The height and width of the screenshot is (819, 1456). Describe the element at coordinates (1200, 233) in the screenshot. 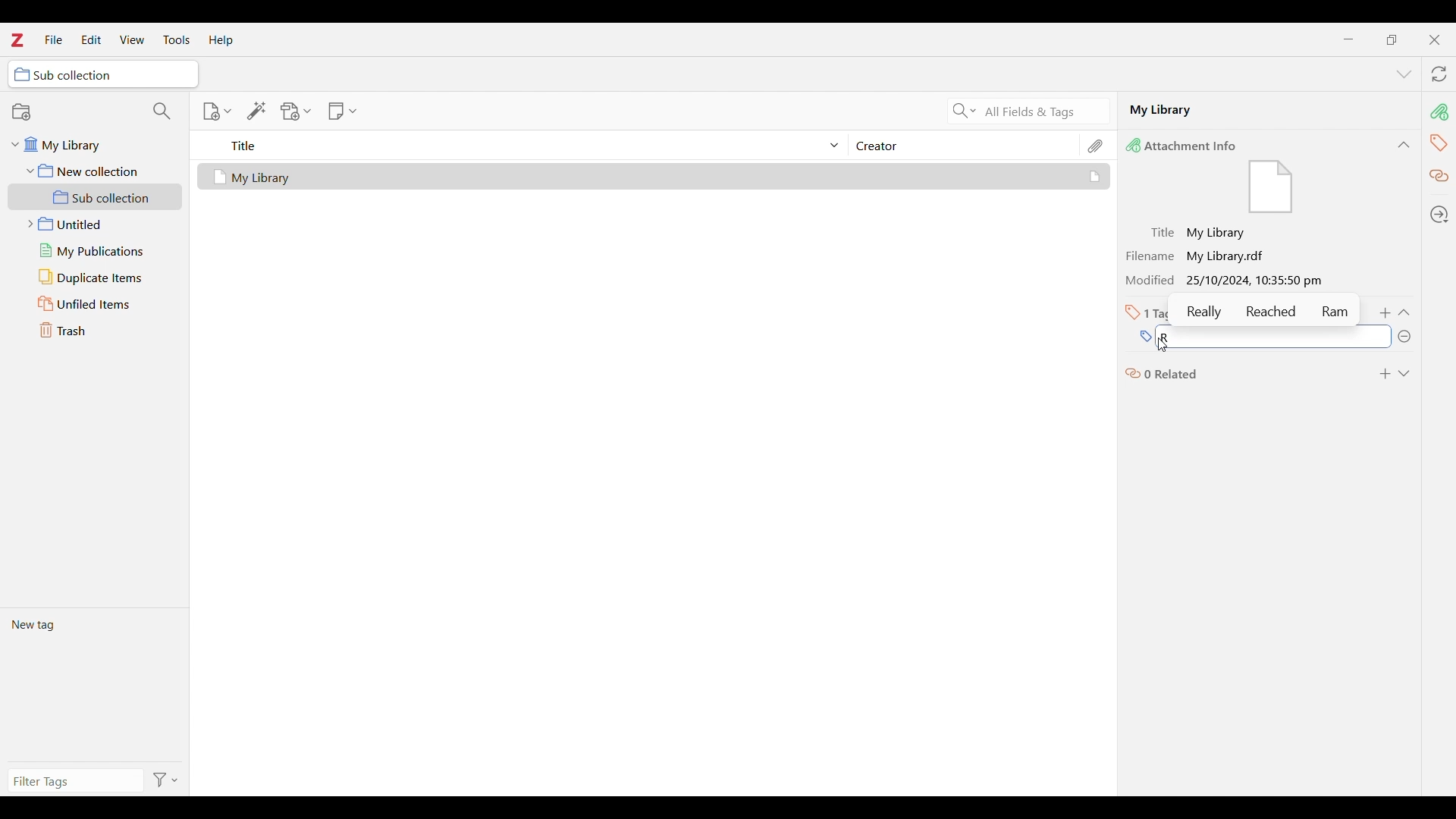

I see `Title: My Library` at that location.